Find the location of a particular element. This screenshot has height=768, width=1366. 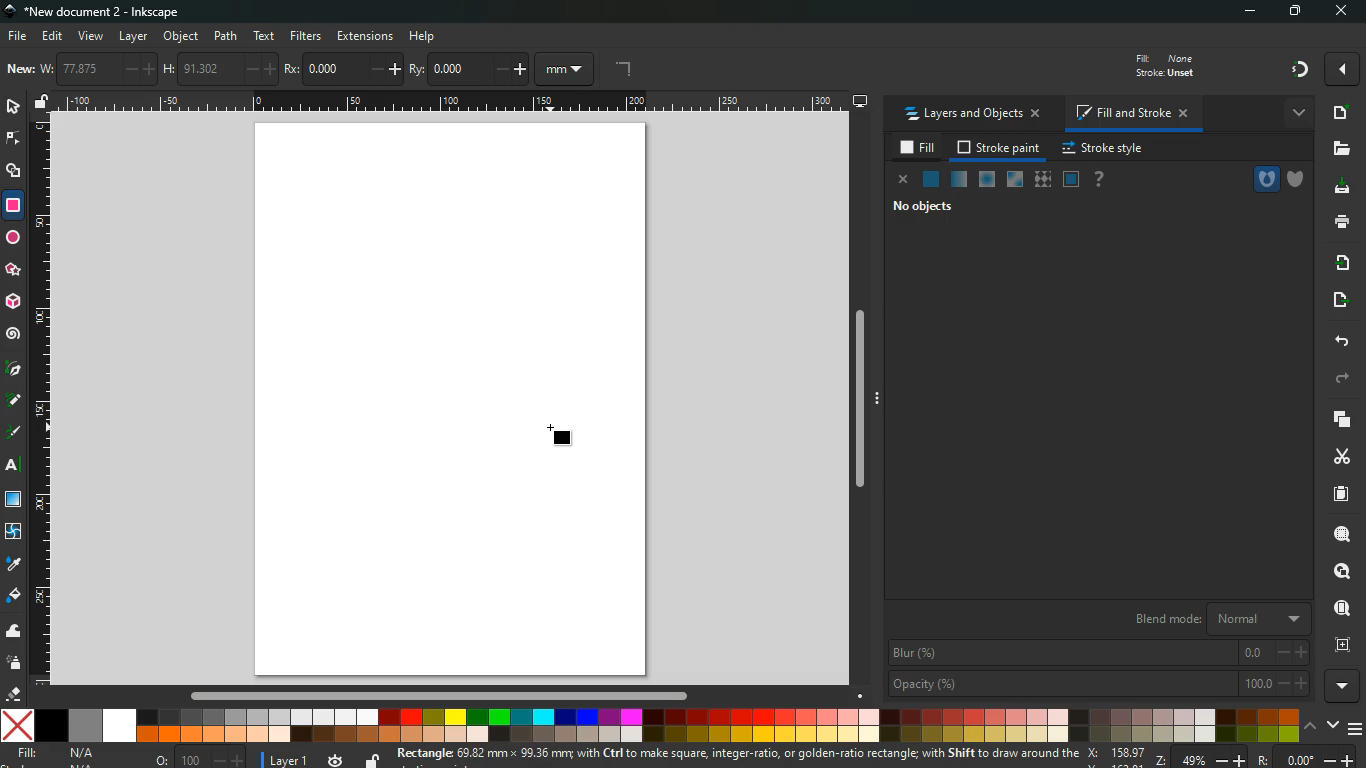

text is located at coordinates (15, 467).